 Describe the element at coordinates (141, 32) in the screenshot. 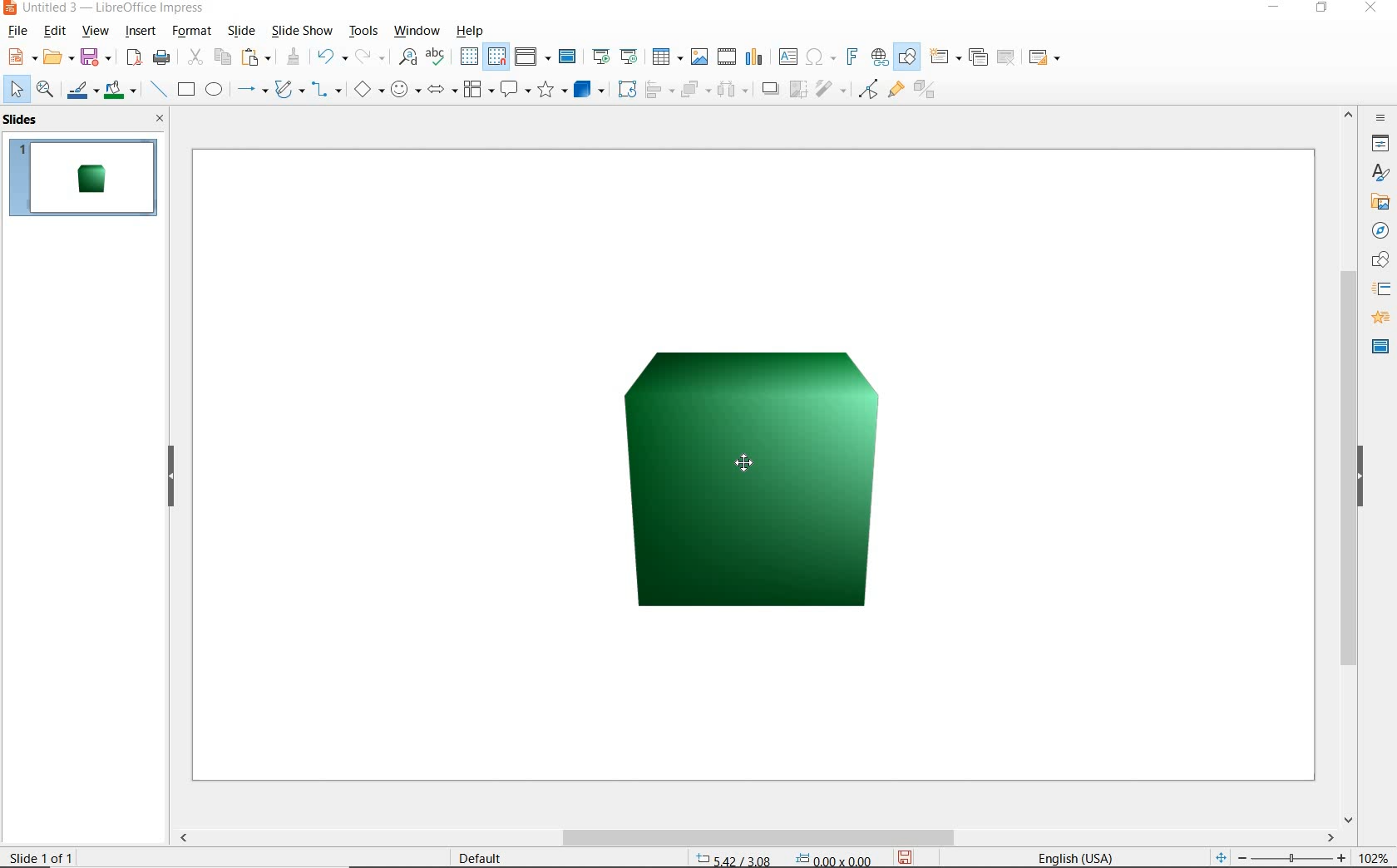

I see `insert` at that location.